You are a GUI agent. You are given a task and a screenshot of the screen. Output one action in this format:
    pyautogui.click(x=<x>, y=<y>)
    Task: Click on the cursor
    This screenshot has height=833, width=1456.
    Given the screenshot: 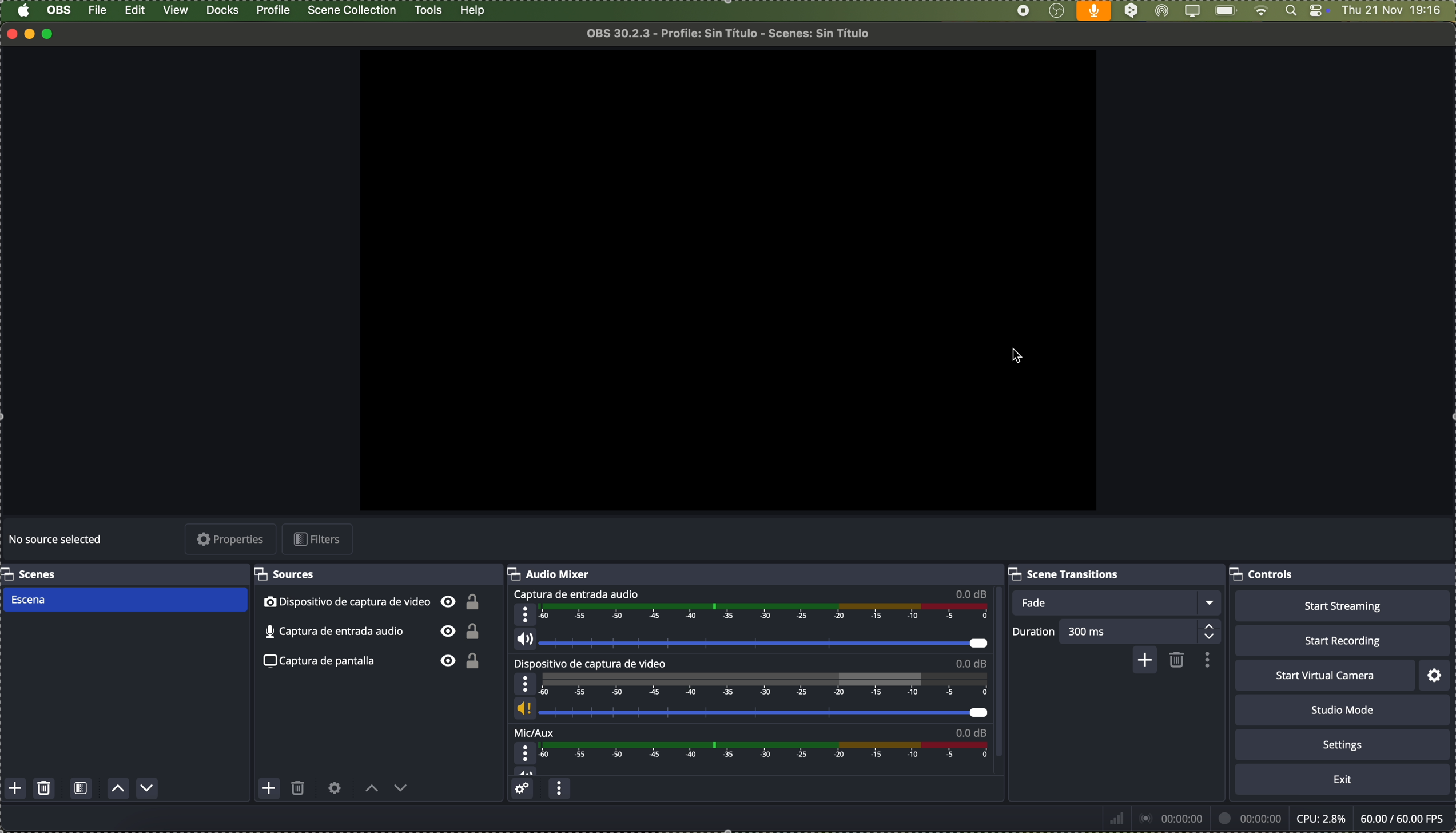 What is the action you would take?
    pyautogui.click(x=1017, y=353)
    